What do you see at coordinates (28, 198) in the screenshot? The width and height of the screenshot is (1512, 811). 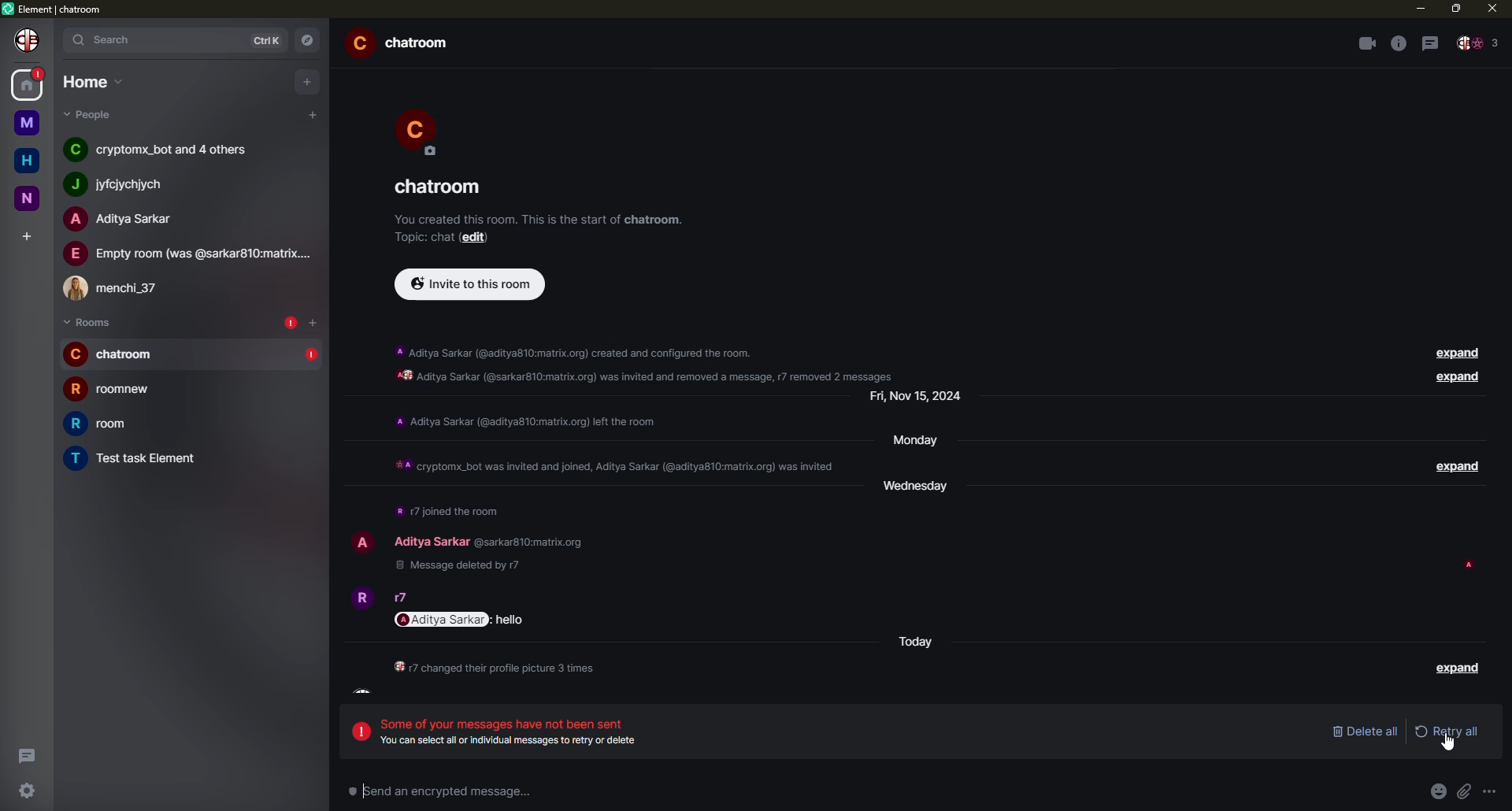 I see `n` at bounding box center [28, 198].